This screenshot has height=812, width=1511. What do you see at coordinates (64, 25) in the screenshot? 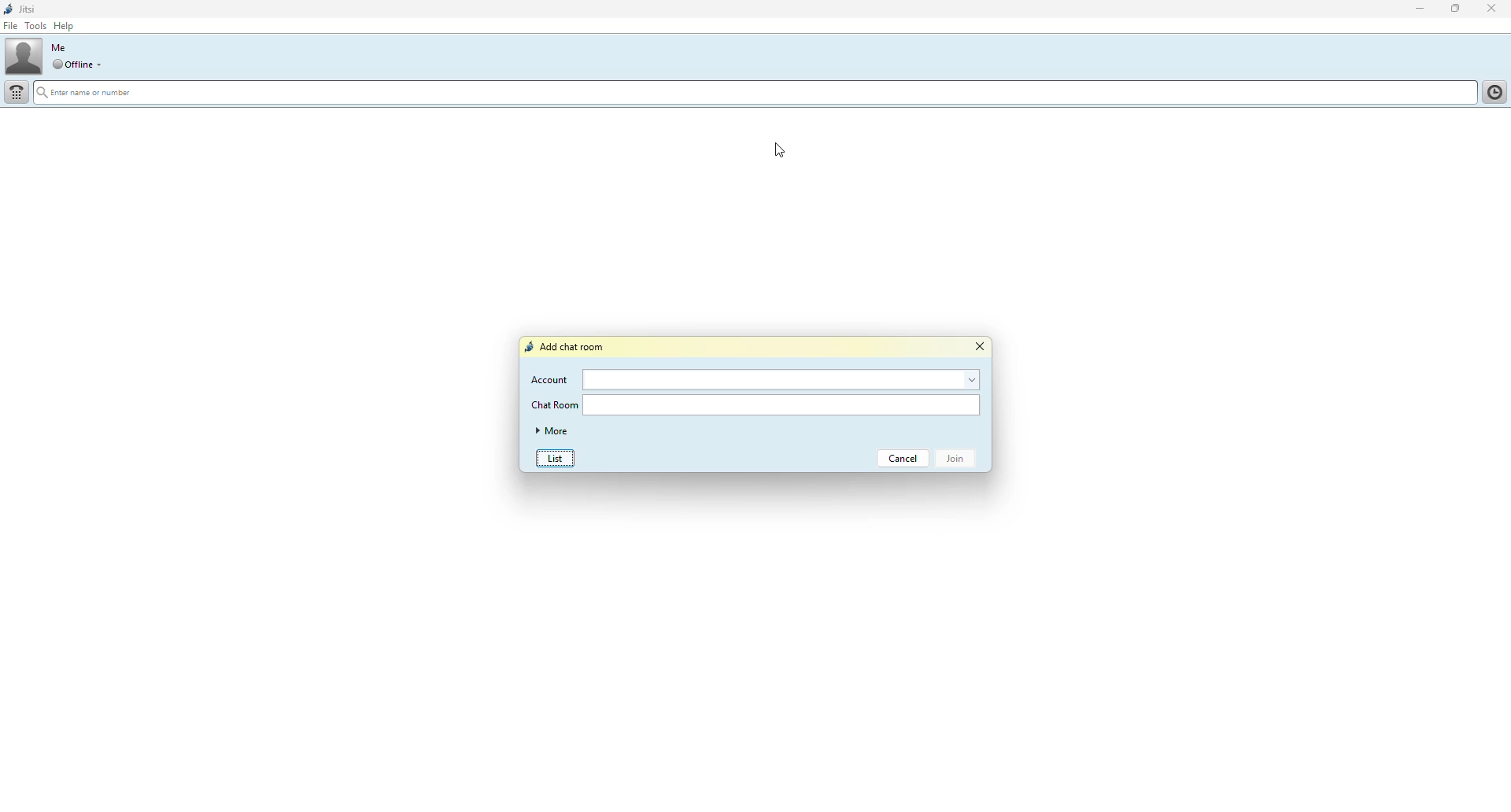
I see `help` at bounding box center [64, 25].